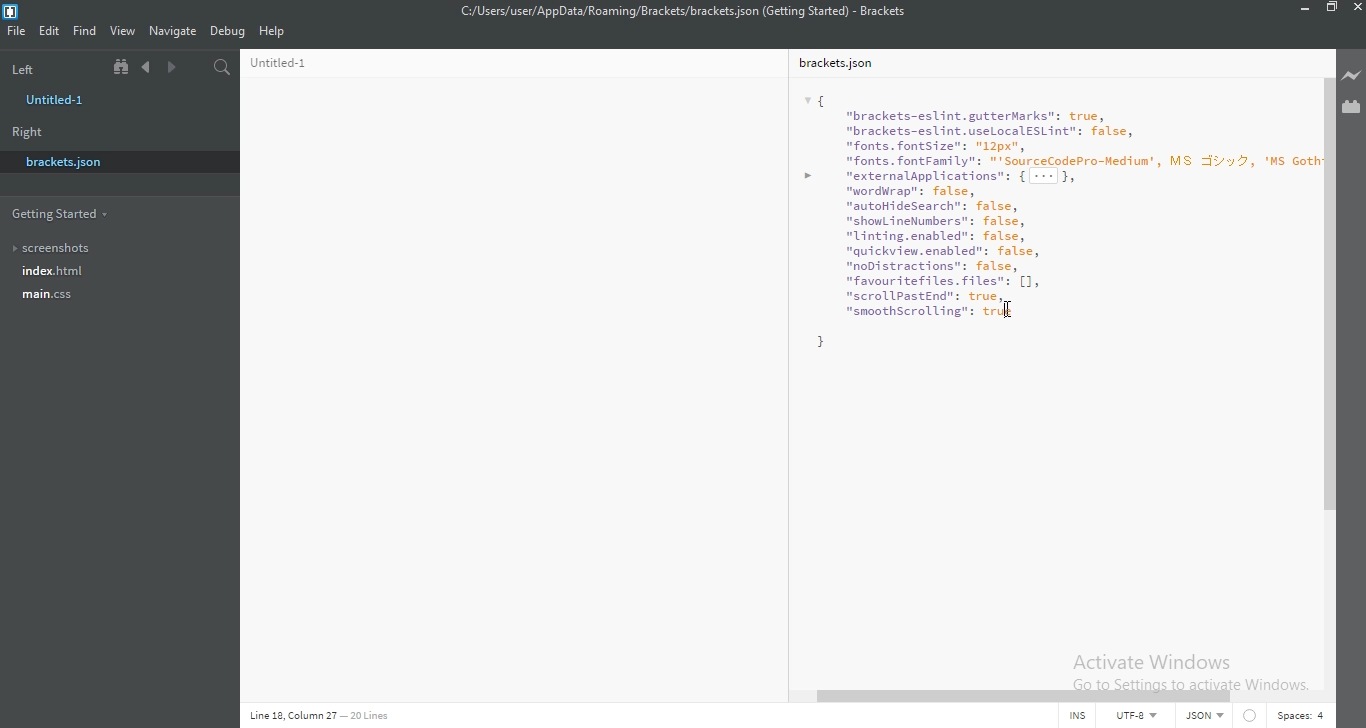  Describe the element at coordinates (52, 30) in the screenshot. I see `Edit` at that location.